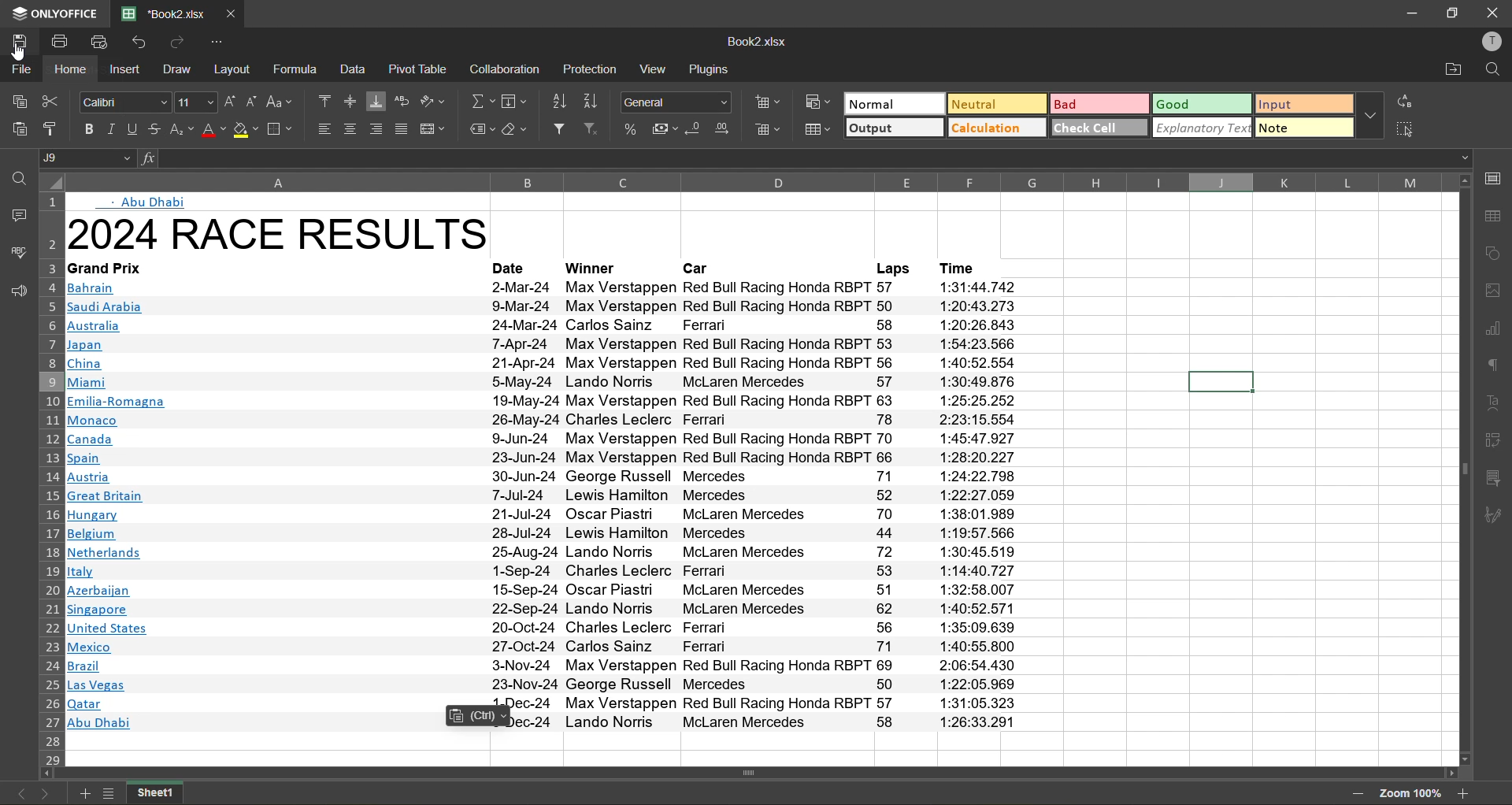 The width and height of the screenshot is (1512, 805). Describe the element at coordinates (375, 103) in the screenshot. I see `align bottom` at that location.